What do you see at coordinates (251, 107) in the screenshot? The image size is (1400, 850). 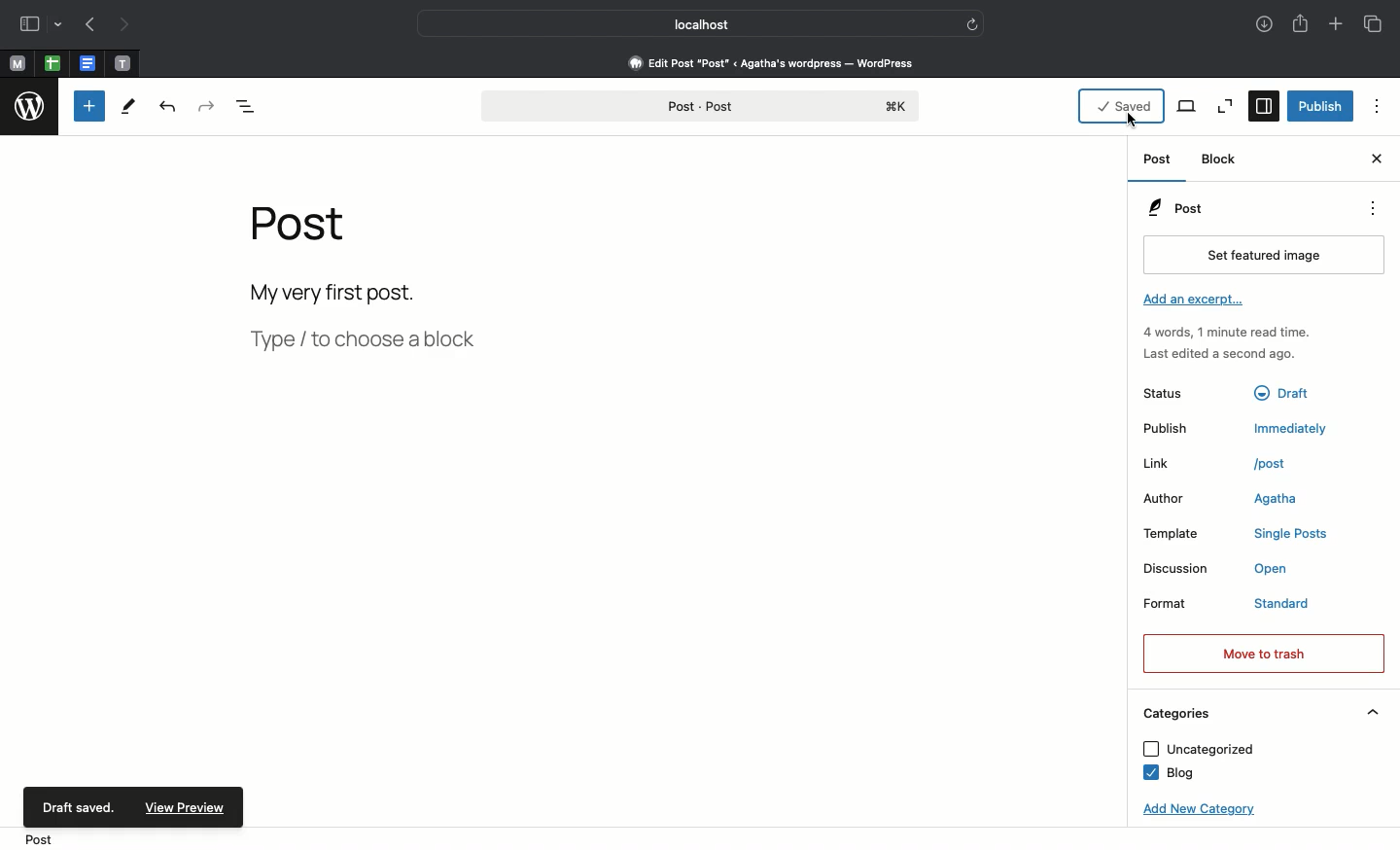 I see `Document overview` at bounding box center [251, 107].